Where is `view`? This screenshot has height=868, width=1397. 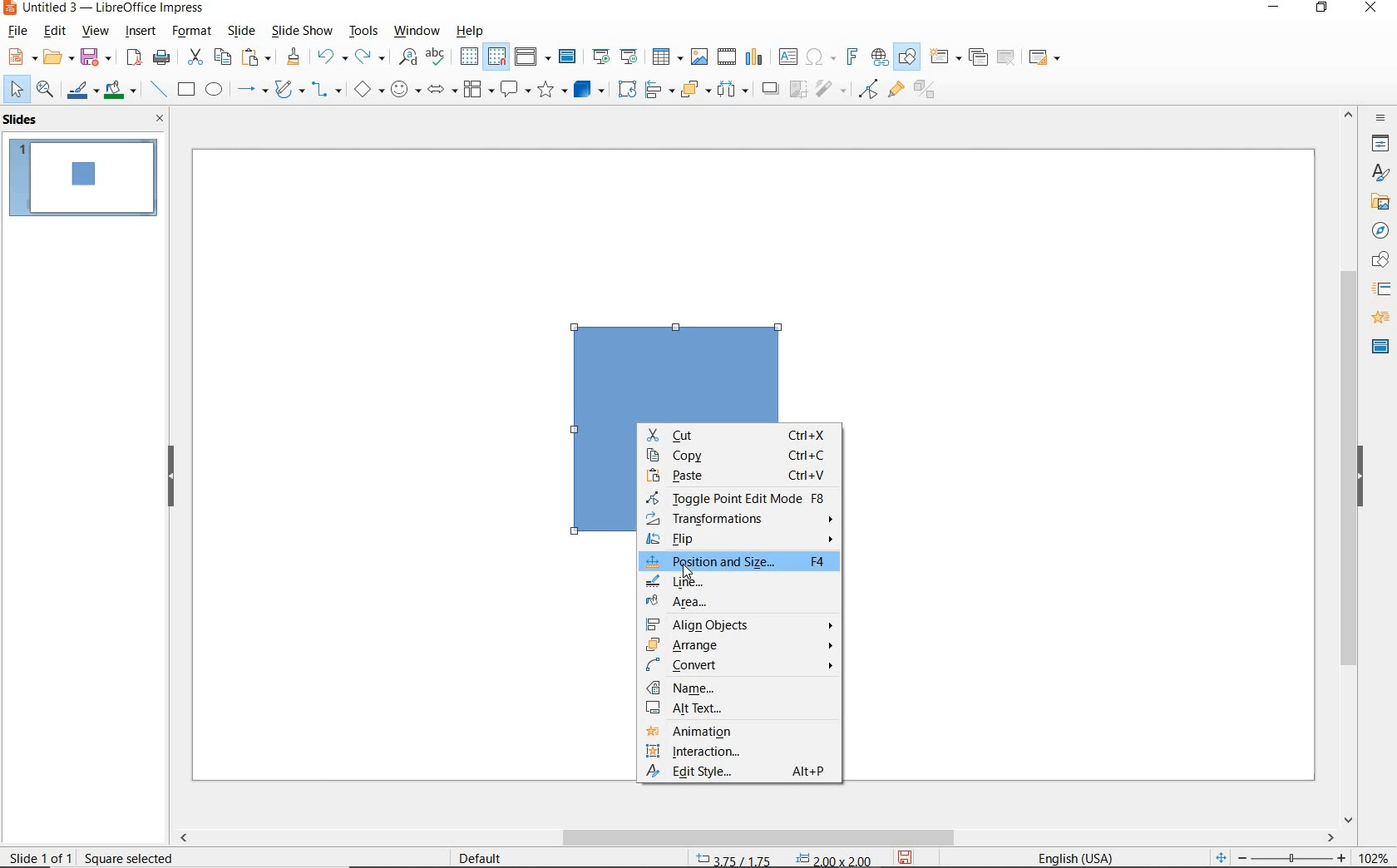
view is located at coordinates (95, 31).